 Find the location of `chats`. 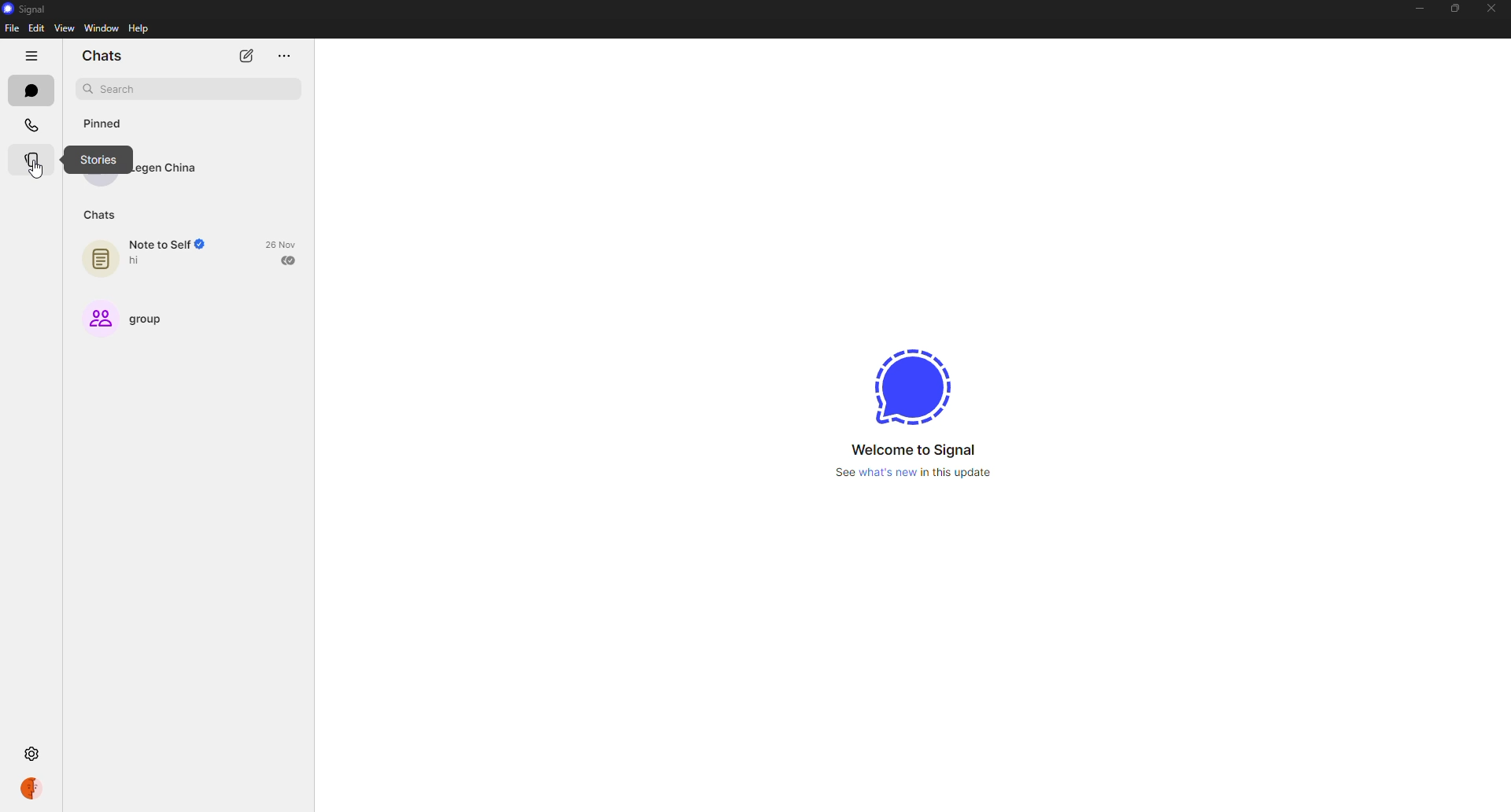

chats is located at coordinates (31, 90).